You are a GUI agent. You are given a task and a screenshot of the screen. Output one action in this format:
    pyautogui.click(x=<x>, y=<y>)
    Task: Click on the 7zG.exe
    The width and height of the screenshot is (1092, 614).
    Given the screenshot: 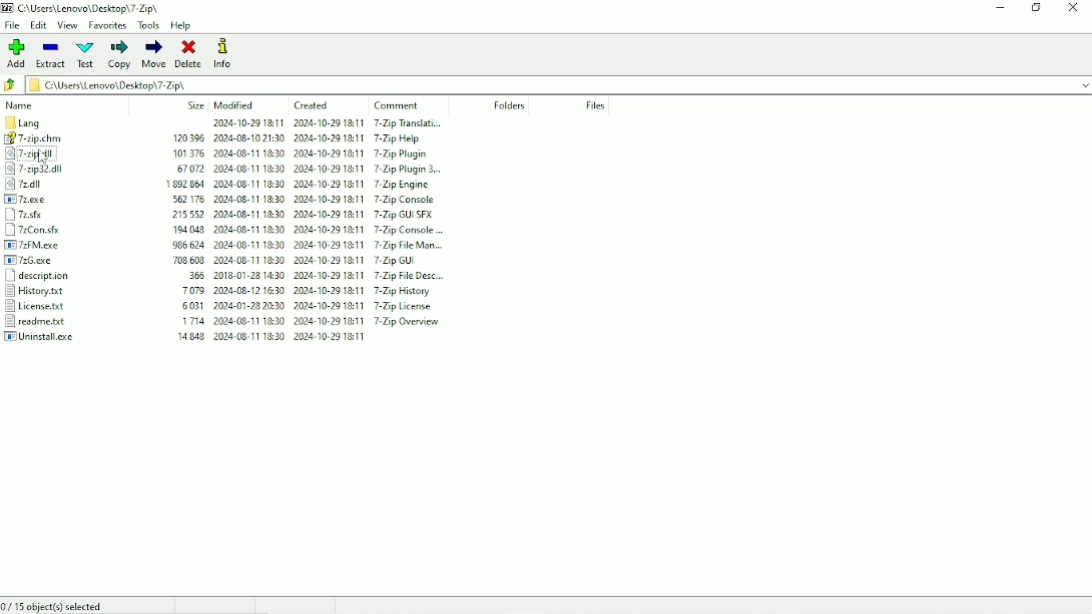 What is the action you would take?
    pyautogui.click(x=211, y=261)
    